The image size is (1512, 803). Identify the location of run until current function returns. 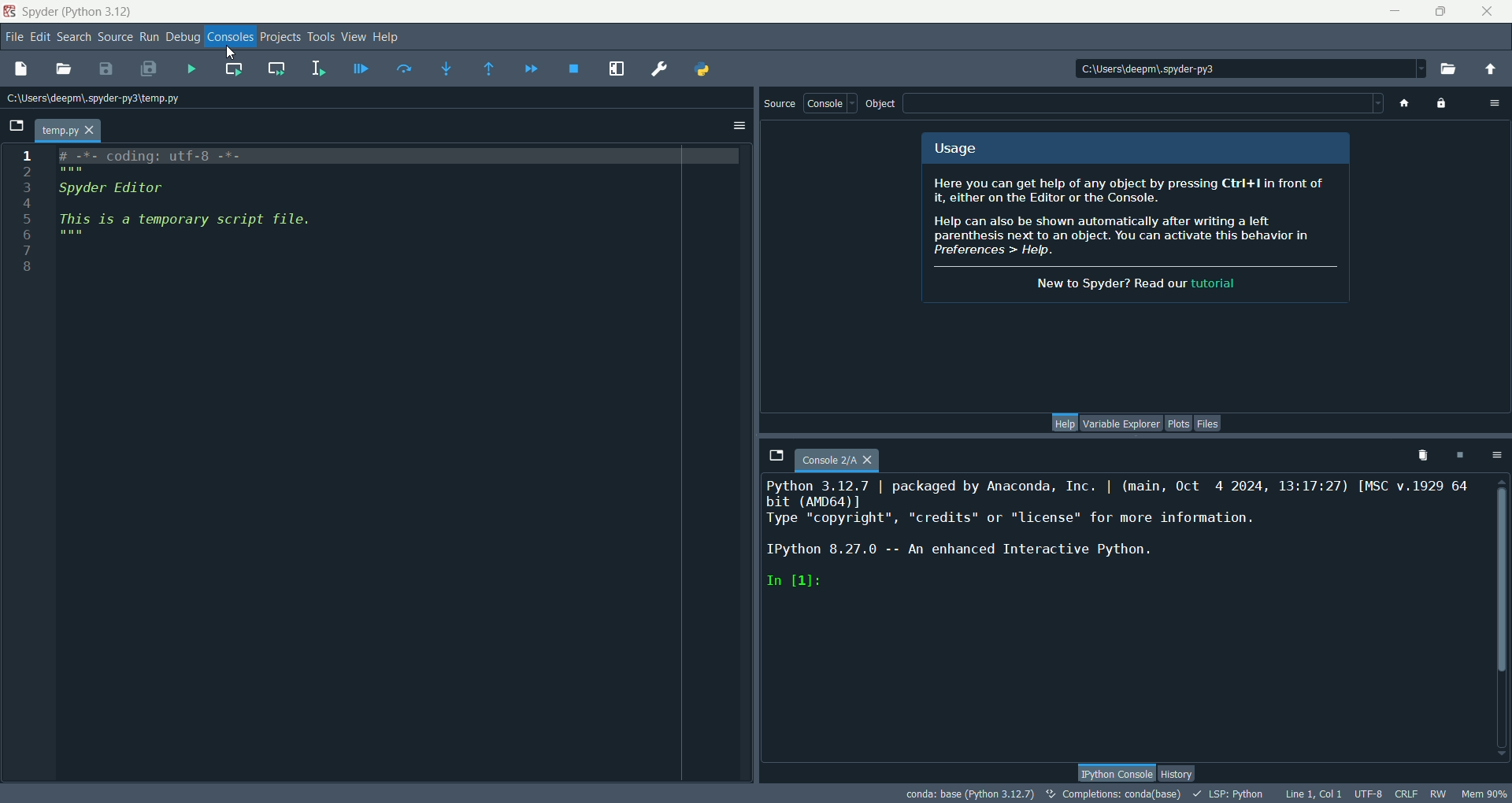
(488, 68).